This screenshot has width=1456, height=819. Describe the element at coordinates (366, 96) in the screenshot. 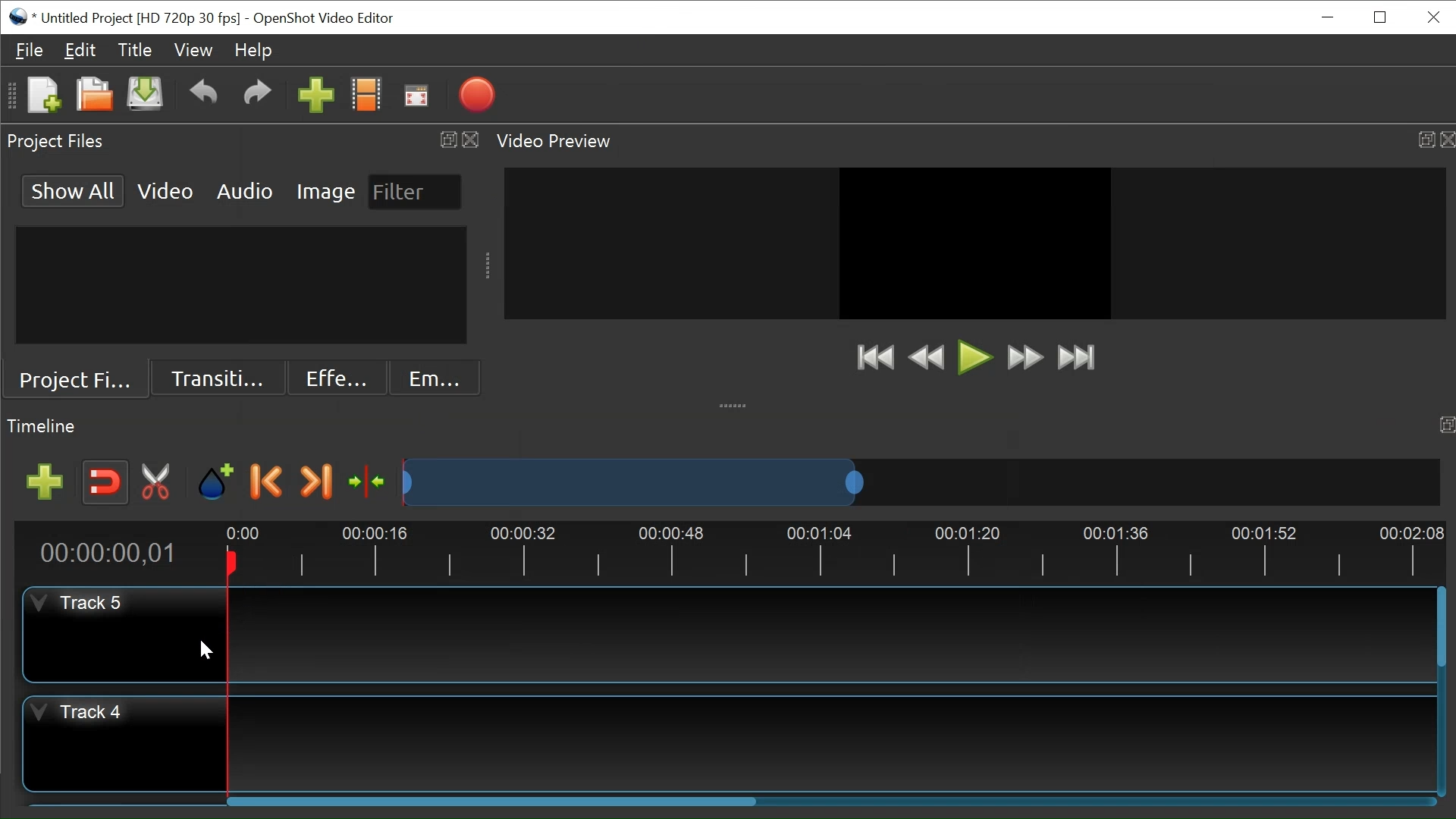

I see `Choose Profile` at that location.